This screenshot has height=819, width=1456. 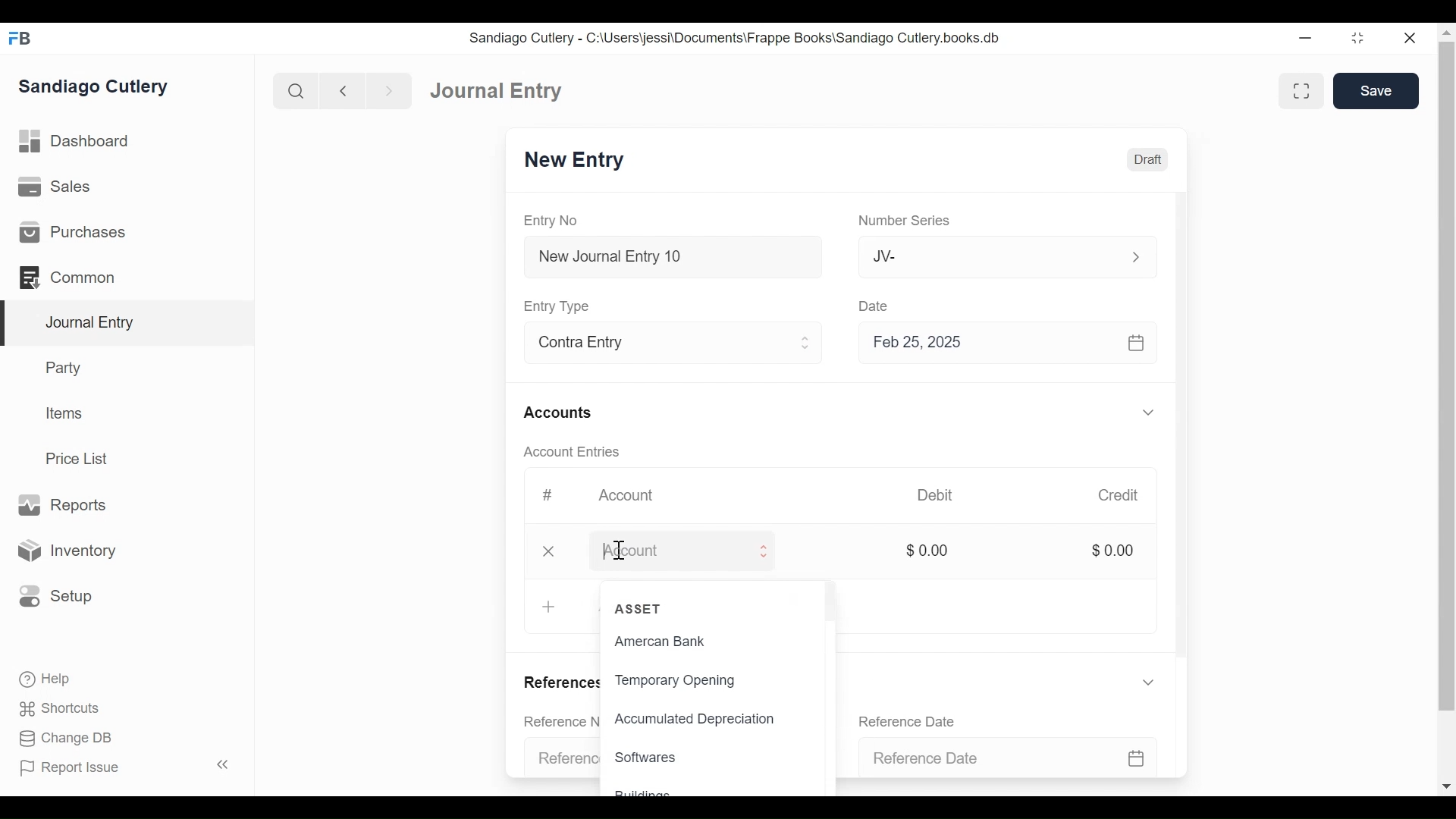 What do you see at coordinates (128, 323) in the screenshot?
I see `Journal Entry` at bounding box center [128, 323].